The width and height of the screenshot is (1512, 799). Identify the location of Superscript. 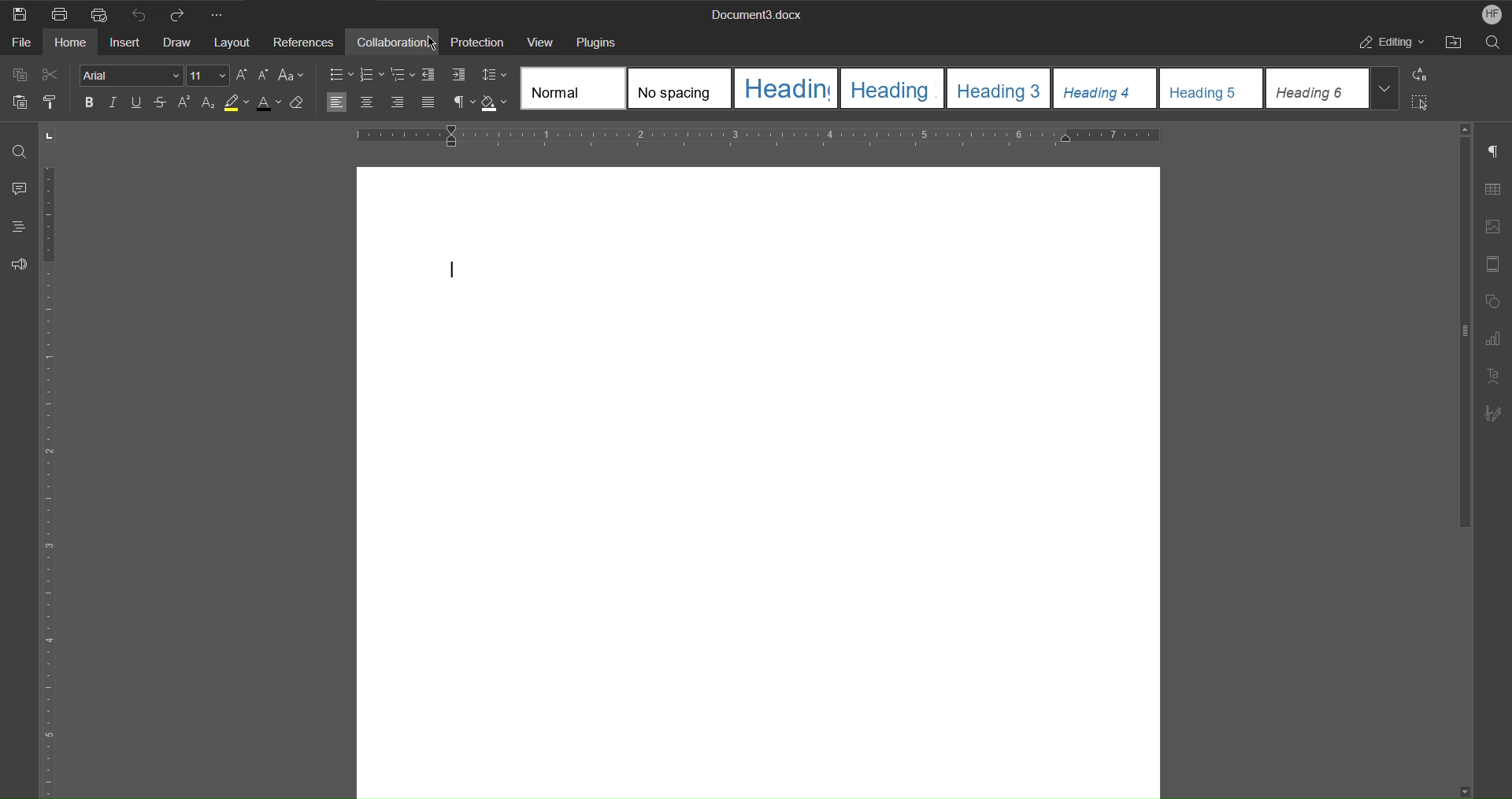
(187, 102).